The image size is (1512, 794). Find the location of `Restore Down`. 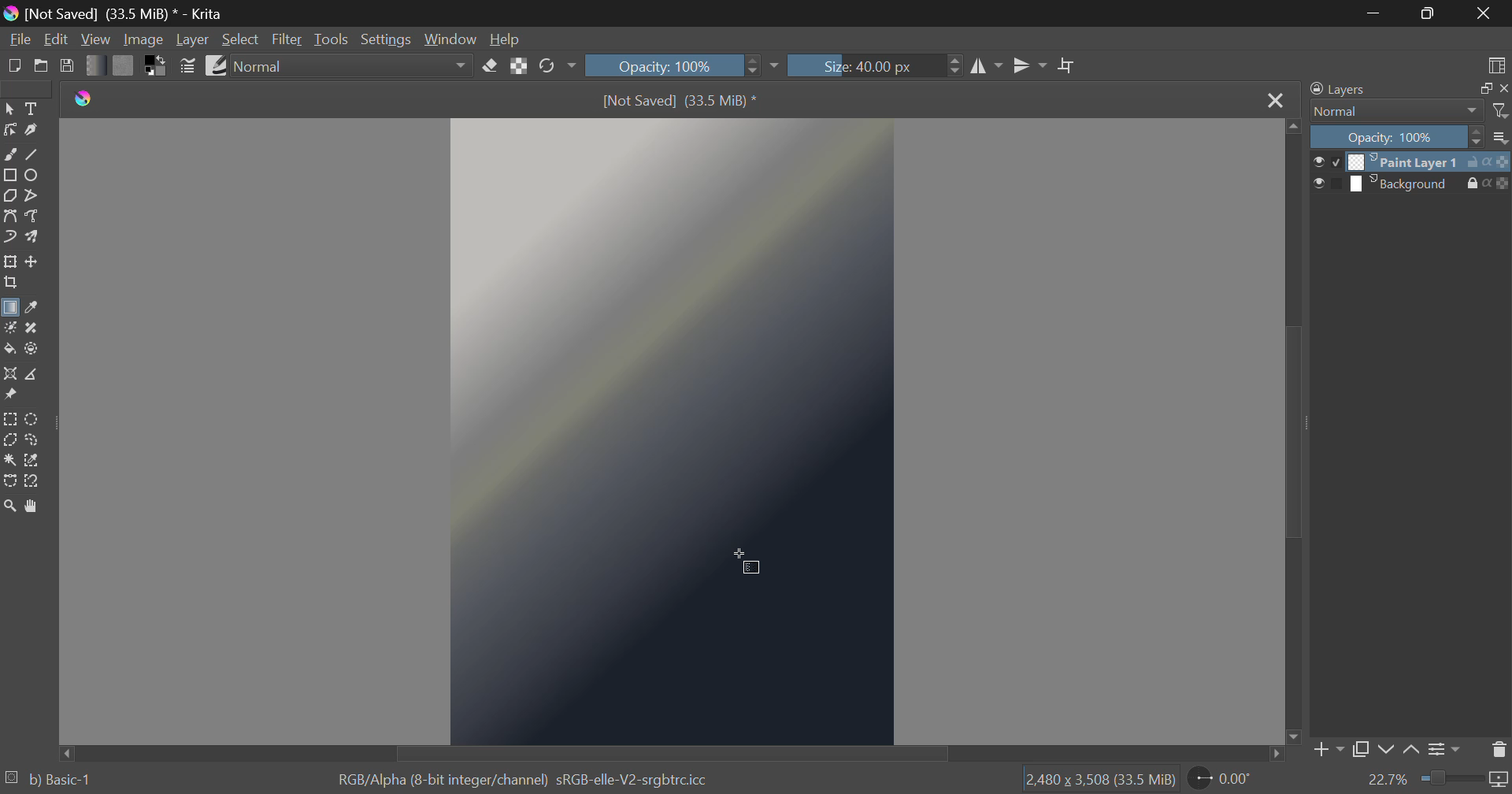

Restore Down is located at coordinates (1375, 13).